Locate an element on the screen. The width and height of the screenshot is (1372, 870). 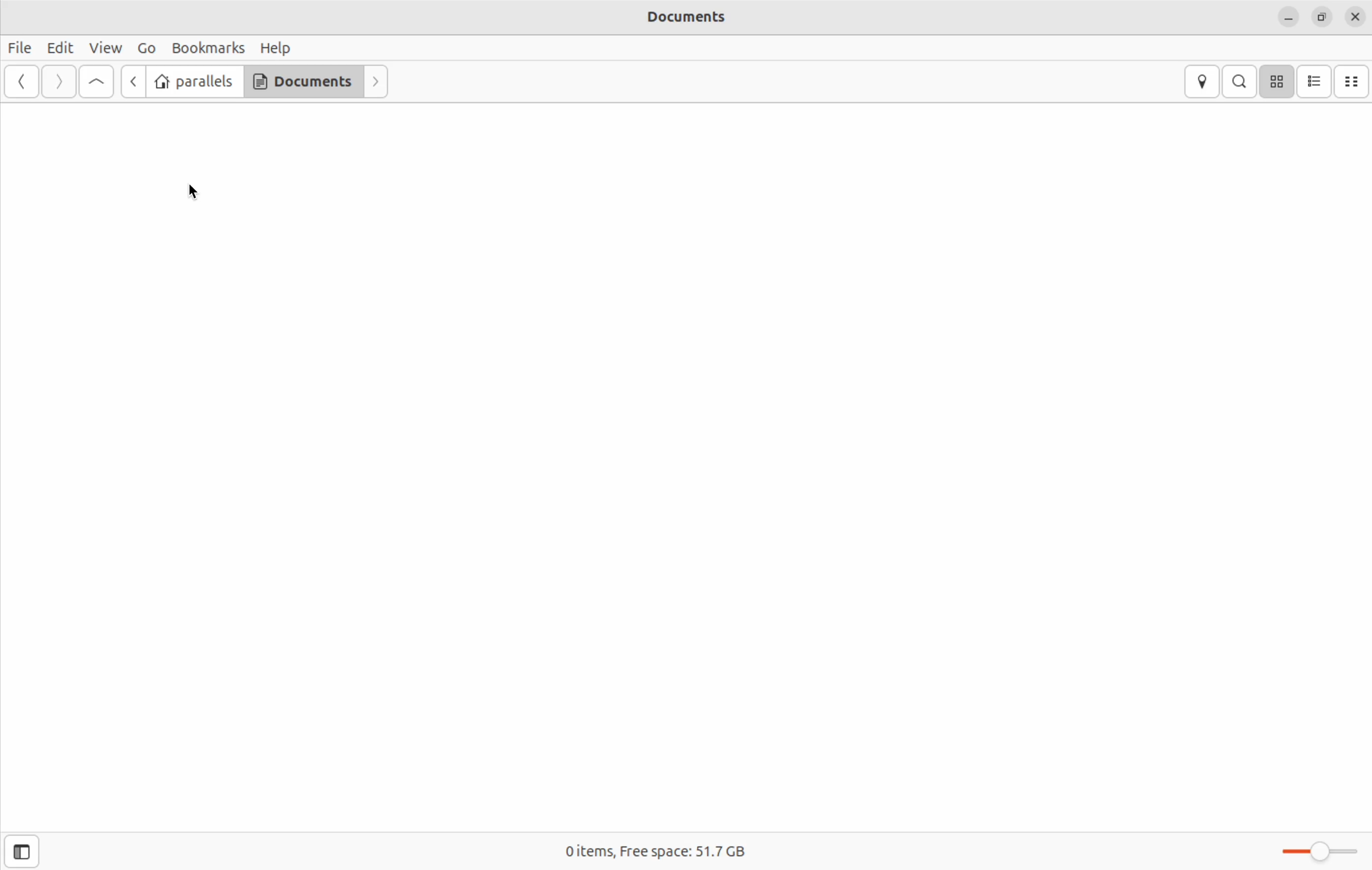
search is located at coordinates (1239, 81).